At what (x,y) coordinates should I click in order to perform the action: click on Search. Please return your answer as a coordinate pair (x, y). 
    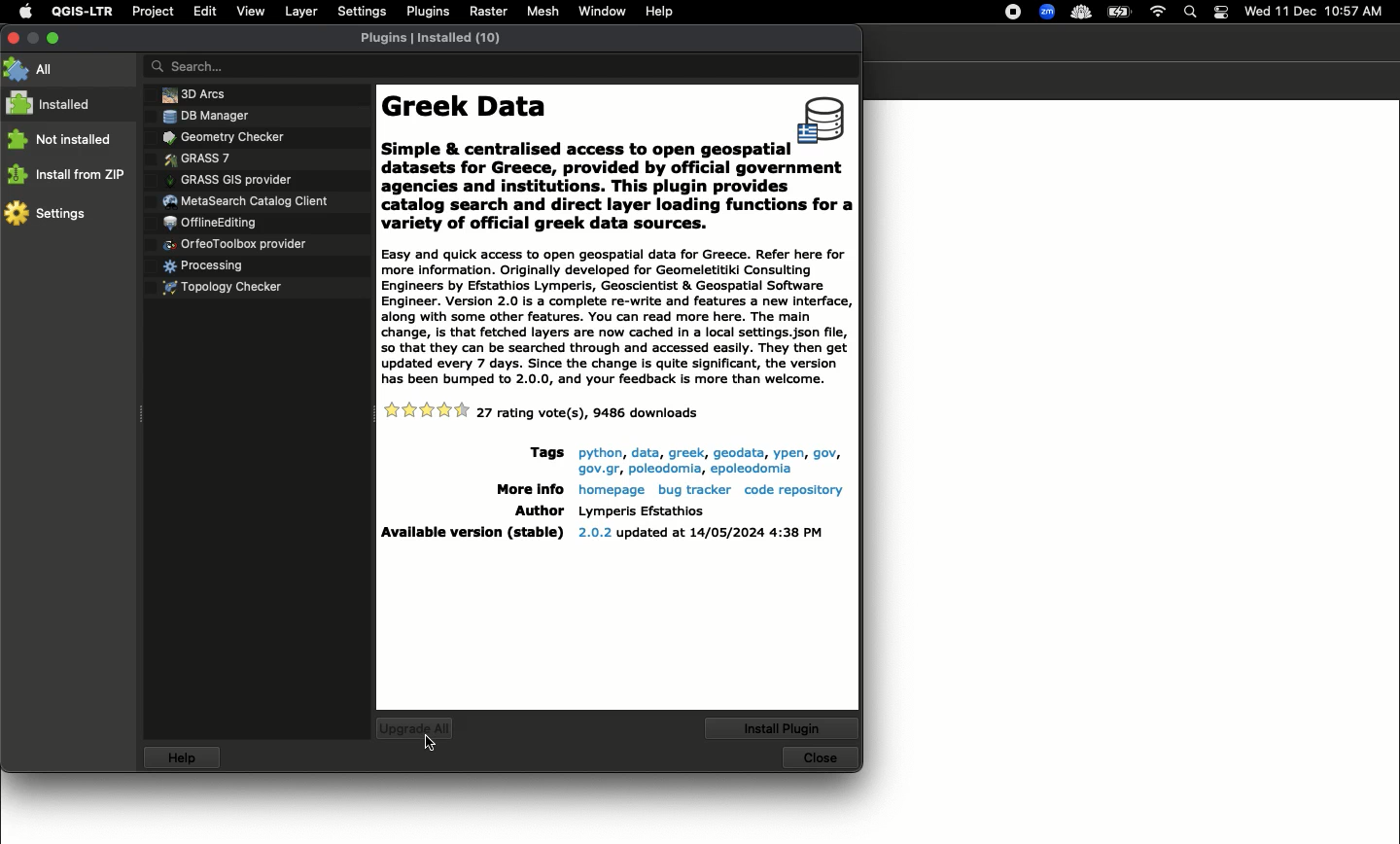
    Looking at the image, I should click on (1190, 13).